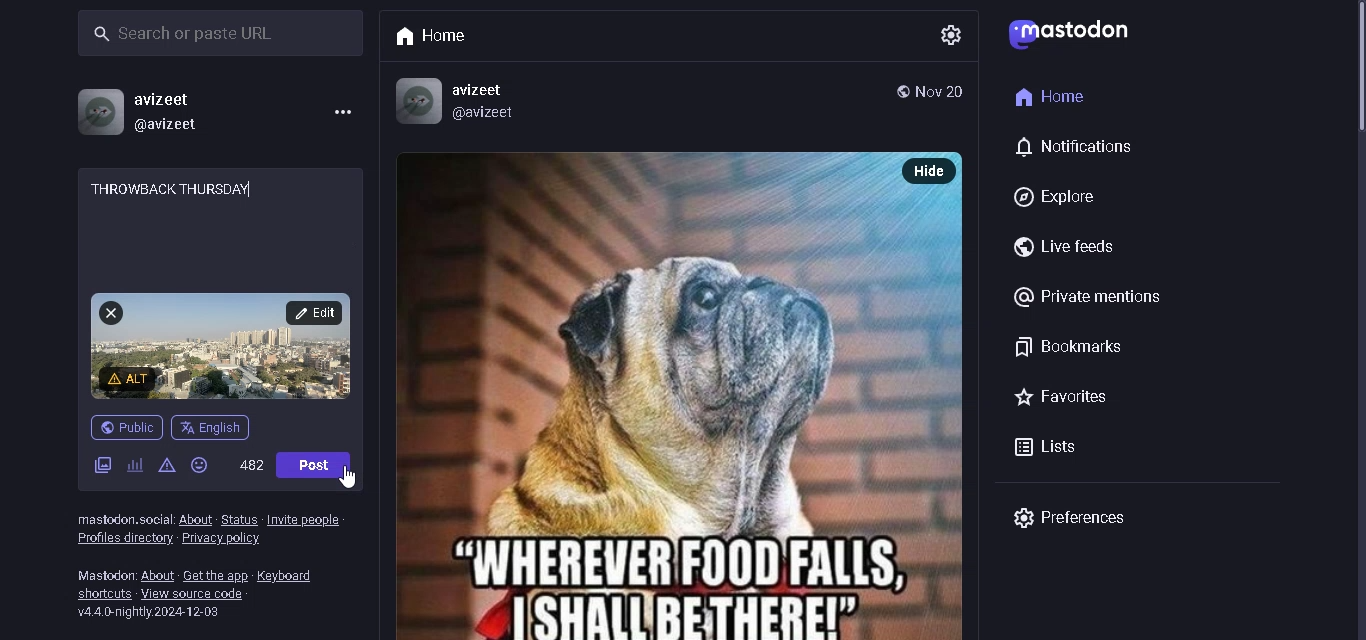  I want to click on Profile Picture, so click(418, 99).